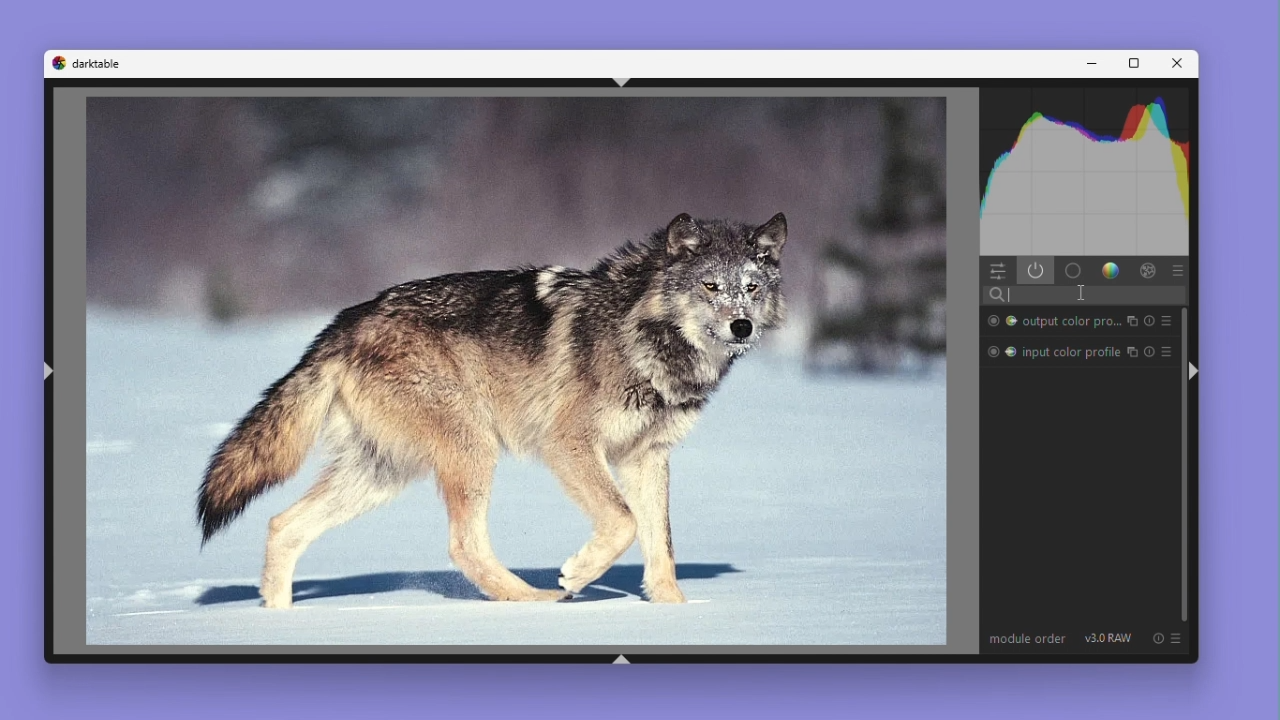 This screenshot has height=720, width=1280. Describe the element at coordinates (1090, 296) in the screenshot. I see `Search bar` at that location.